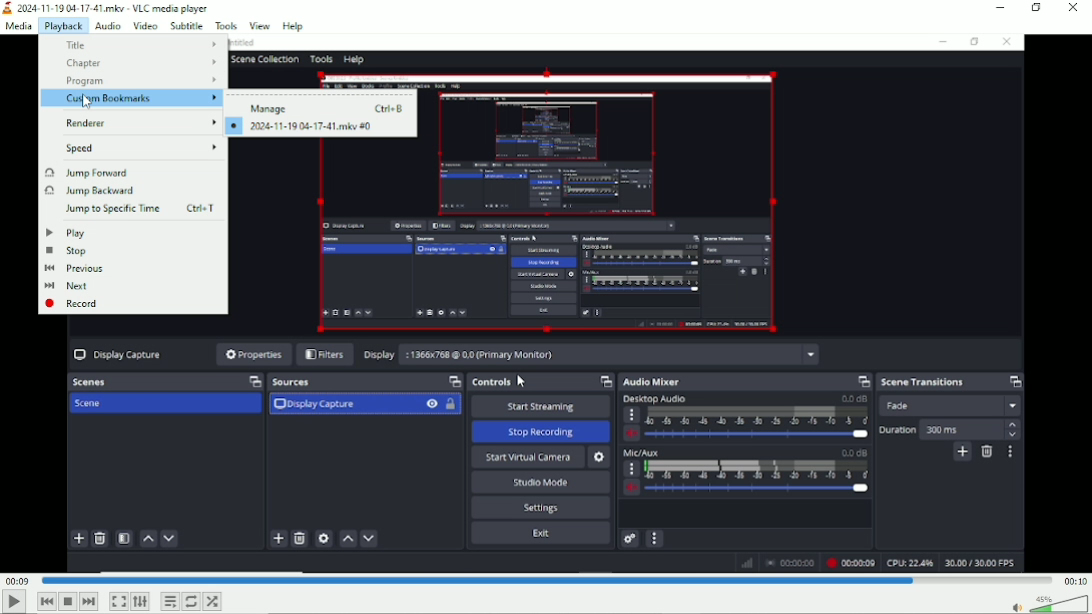 Image resolution: width=1092 pixels, height=614 pixels. What do you see at coordinates (107, 25) in the screenshot?
I see `Audio` at bounding box center [107, 25].